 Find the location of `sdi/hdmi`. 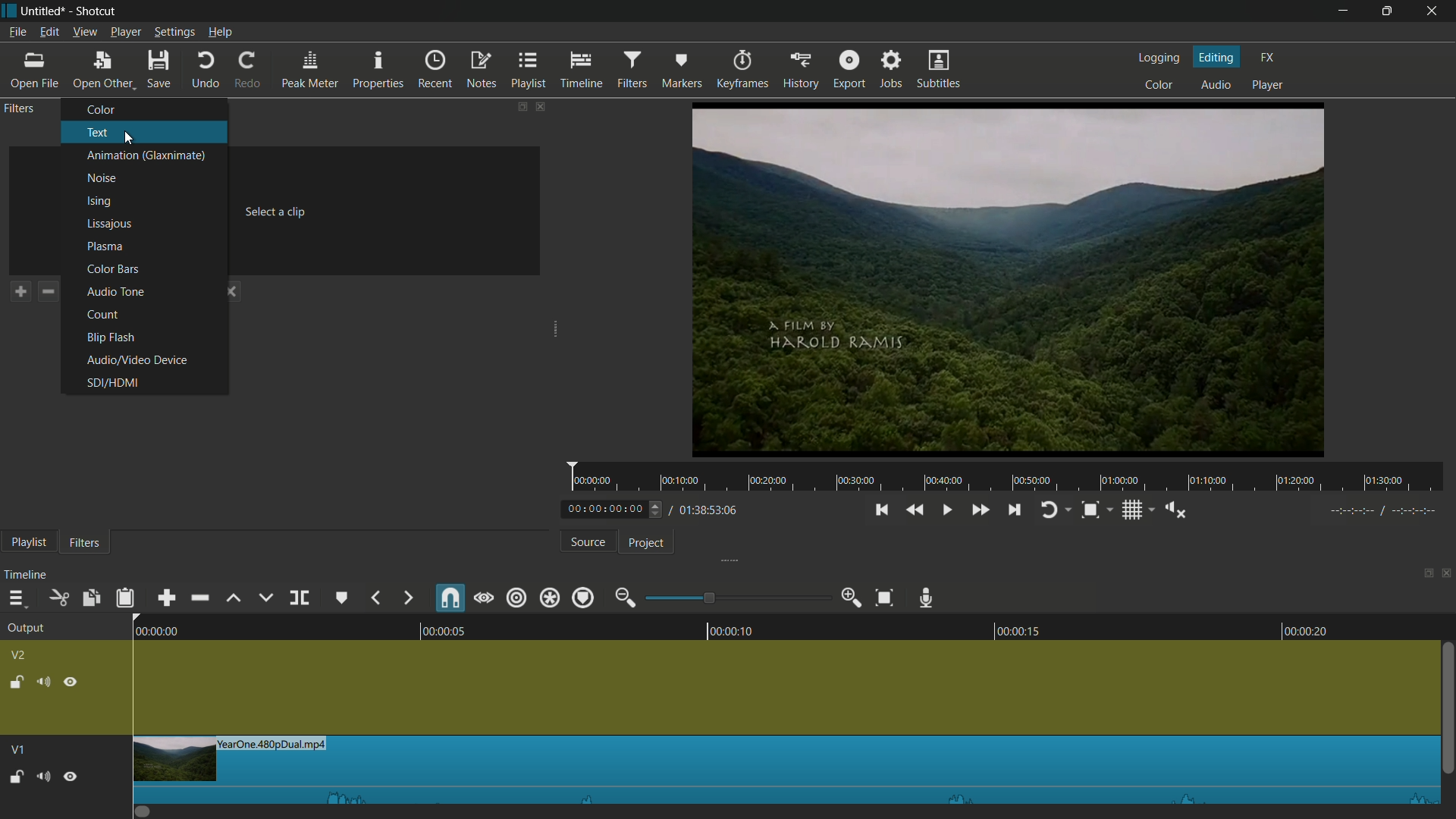

sdi/hdmi is located at coordinates (113, 383).